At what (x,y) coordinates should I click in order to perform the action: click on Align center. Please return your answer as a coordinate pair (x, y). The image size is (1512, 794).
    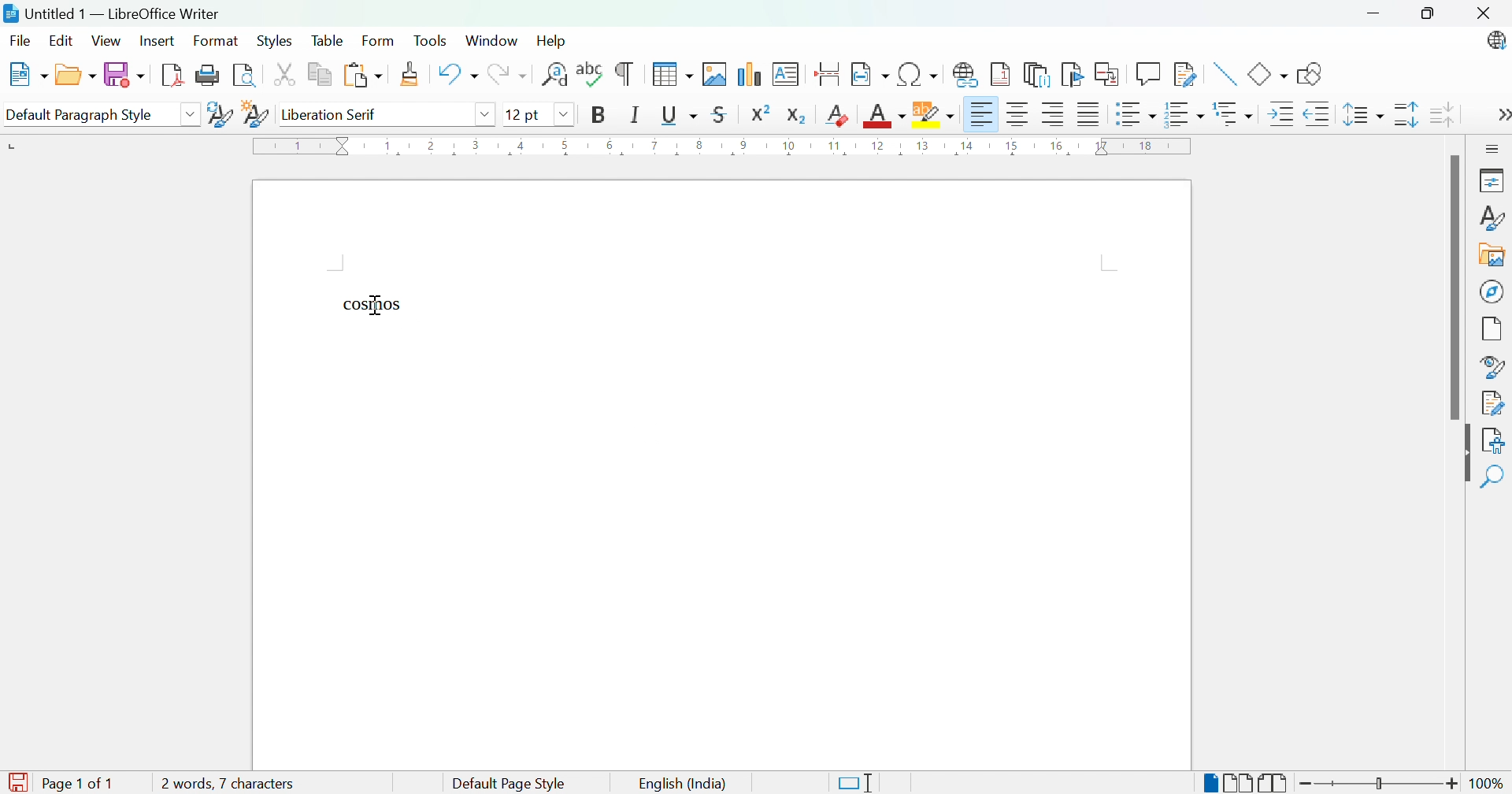
    Looking at the image, I should click on (1021, 117).